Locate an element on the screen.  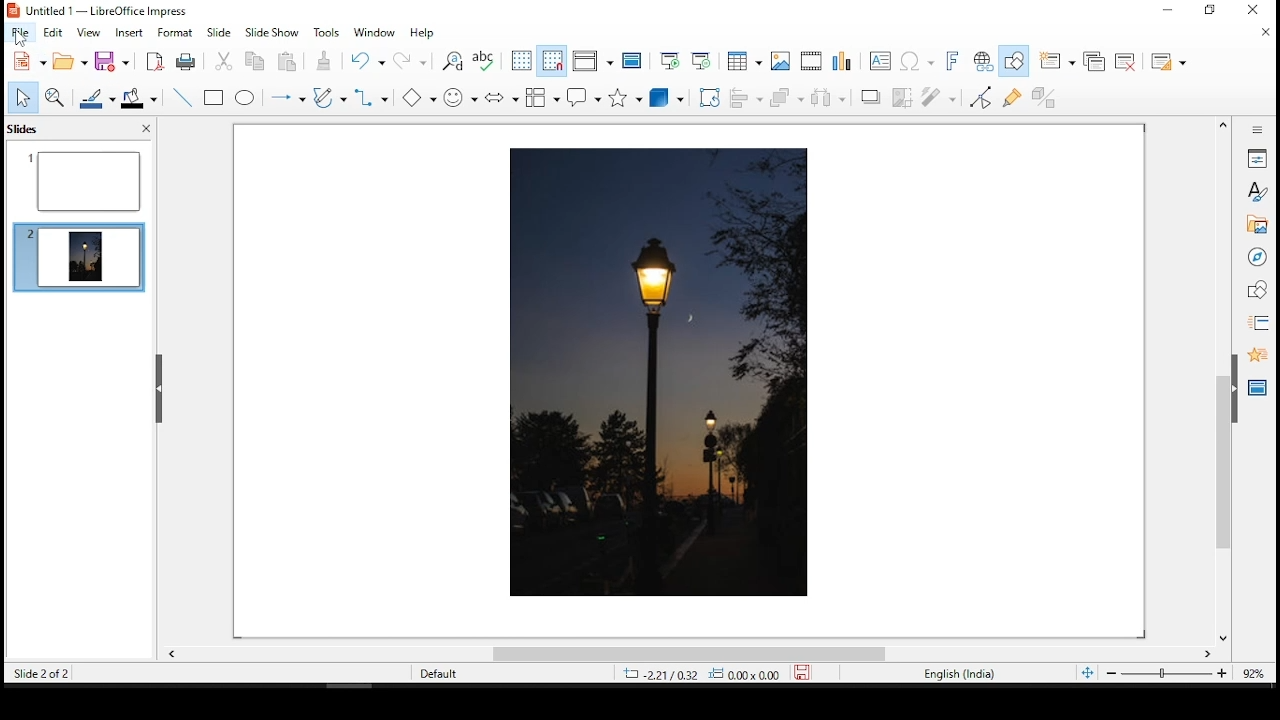
text box is located at coordinates (879, 62).